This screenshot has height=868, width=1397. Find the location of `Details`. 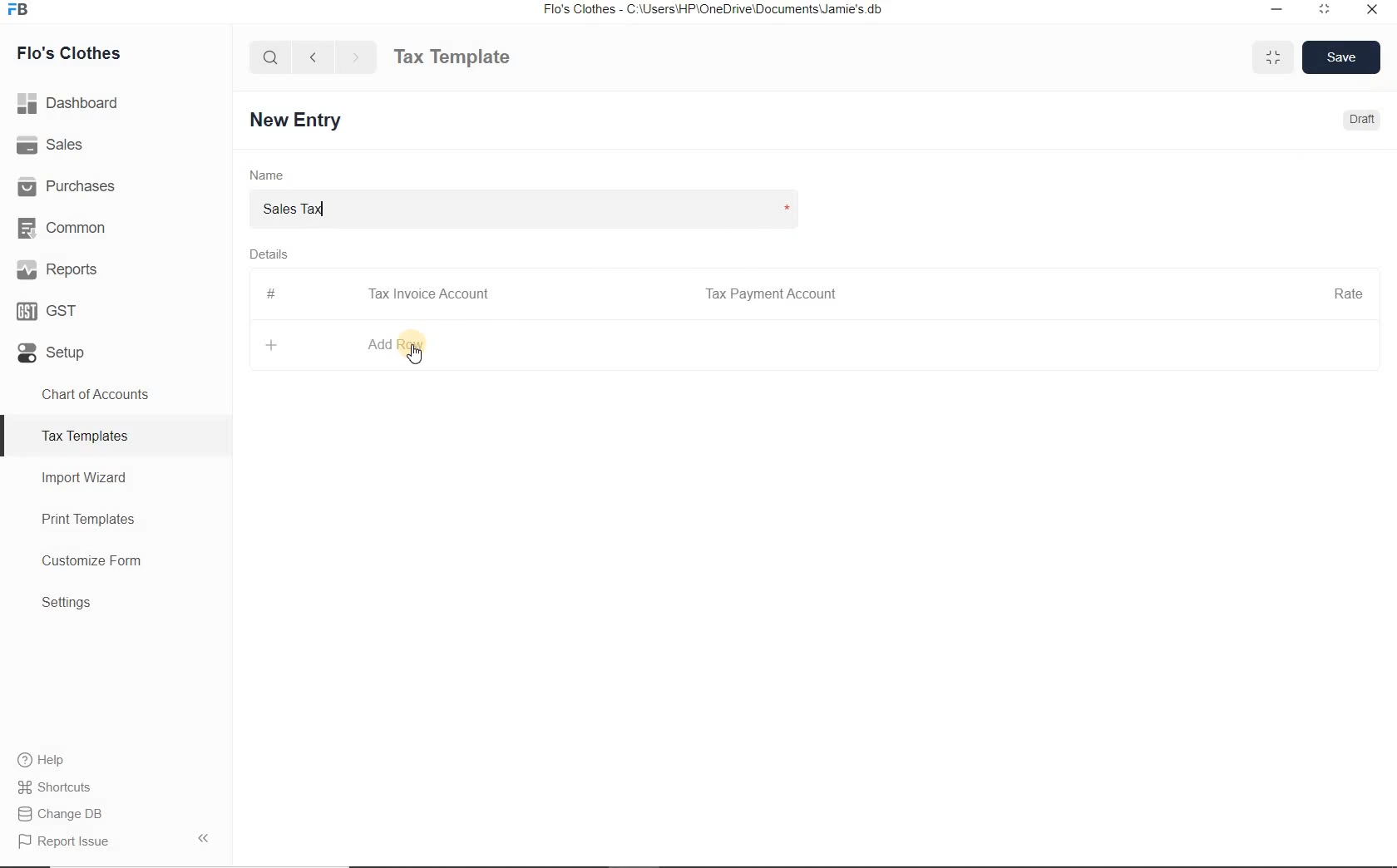

Details is located at coordinates (268, 253).